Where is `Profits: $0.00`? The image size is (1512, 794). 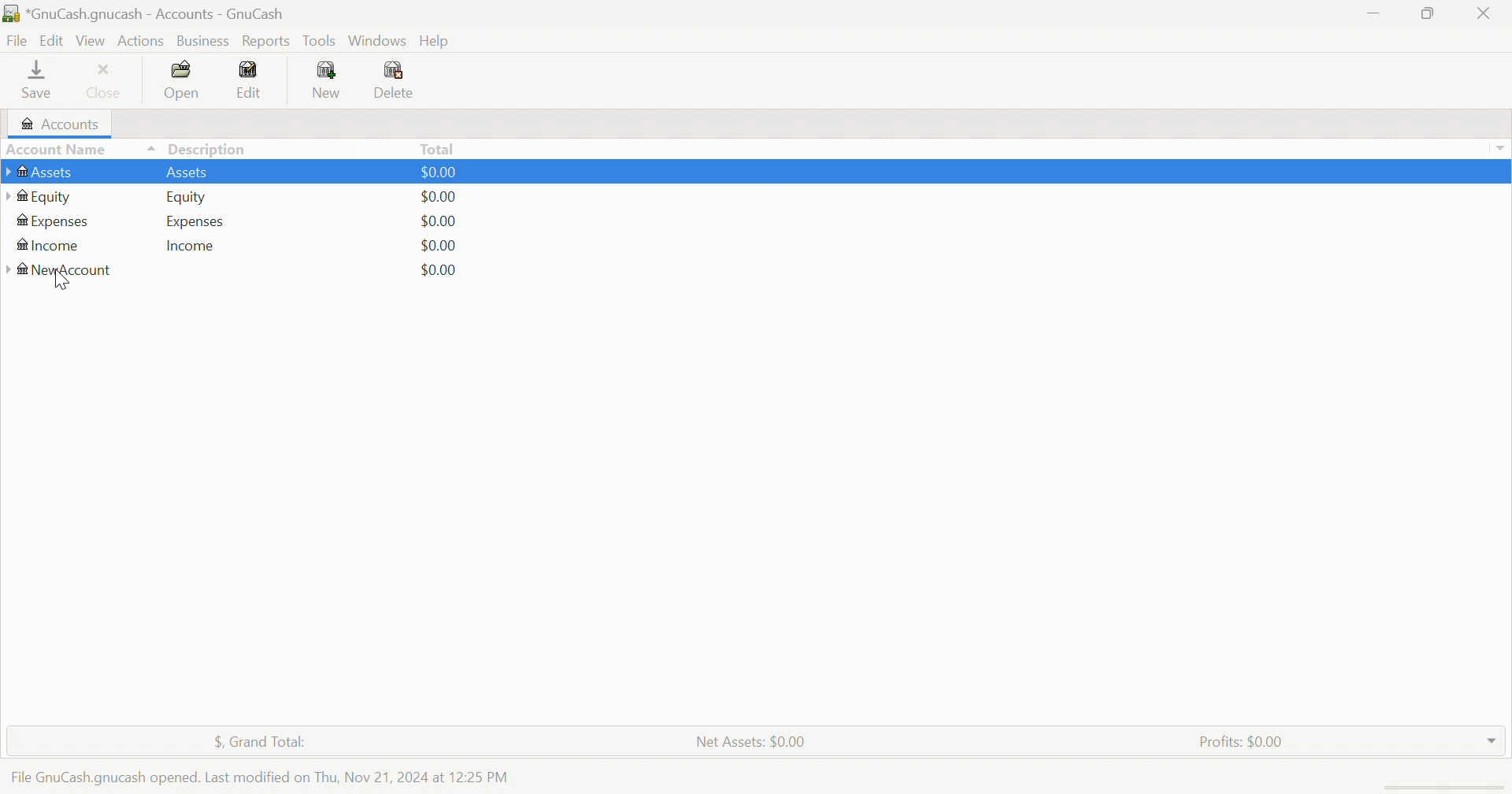 Profits: $0.00 is located at coordinates (1244, 742).